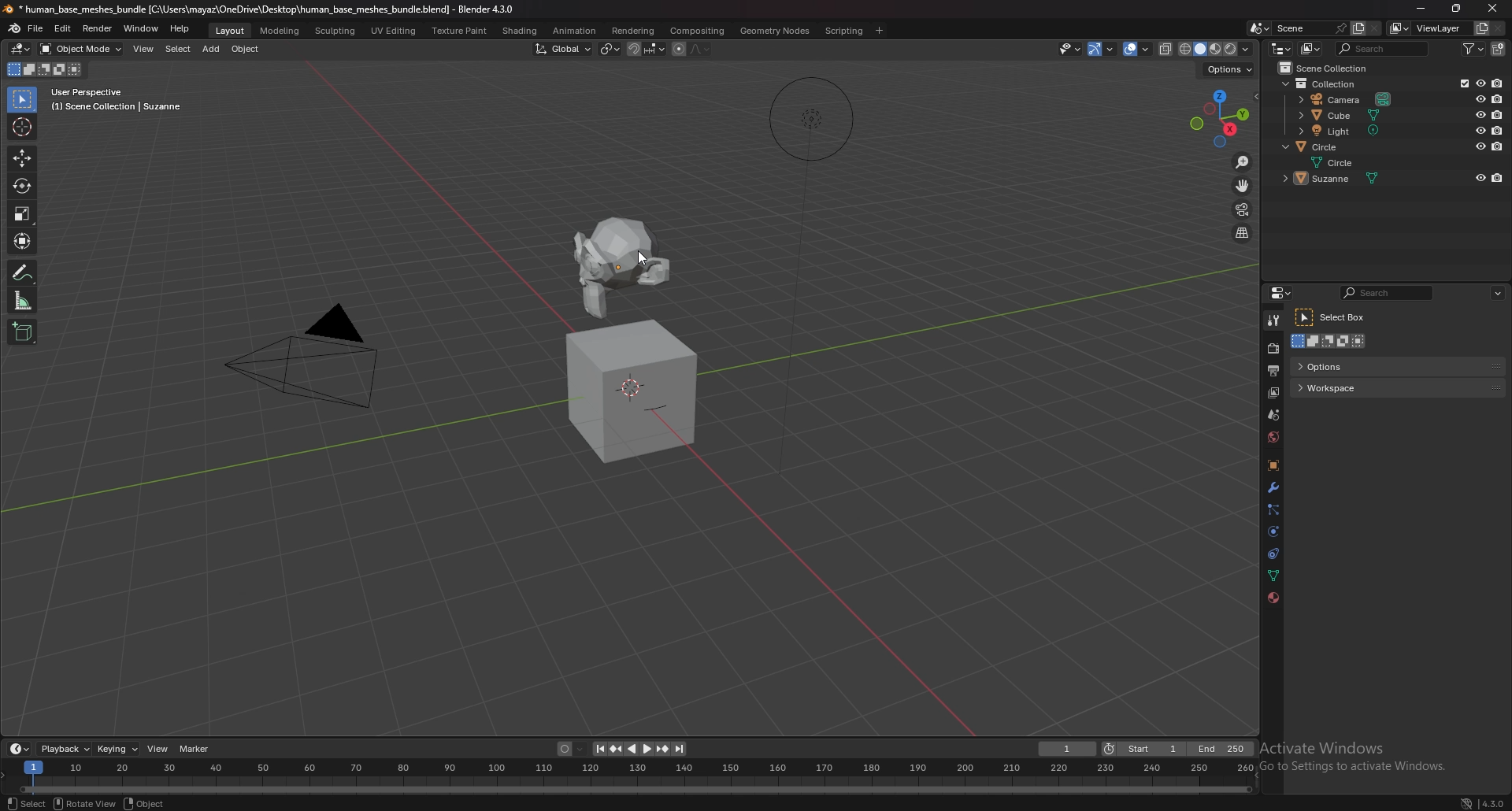 The height and width of the screenshot is (811, 1512). Describe the element at coordinates (1497, 83) in the screenshot. I see `disable in renders` at that location.